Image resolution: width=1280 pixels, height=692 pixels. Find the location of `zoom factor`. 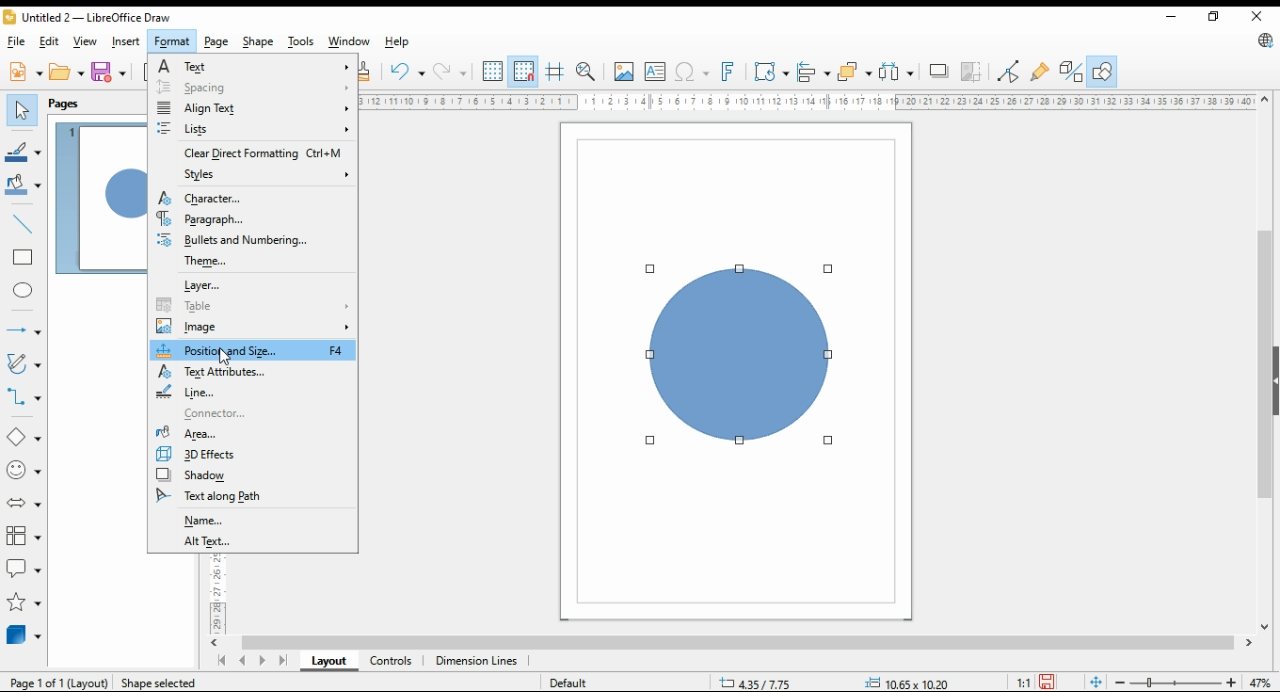

zoom factor is located at coordinates (1258, 680).